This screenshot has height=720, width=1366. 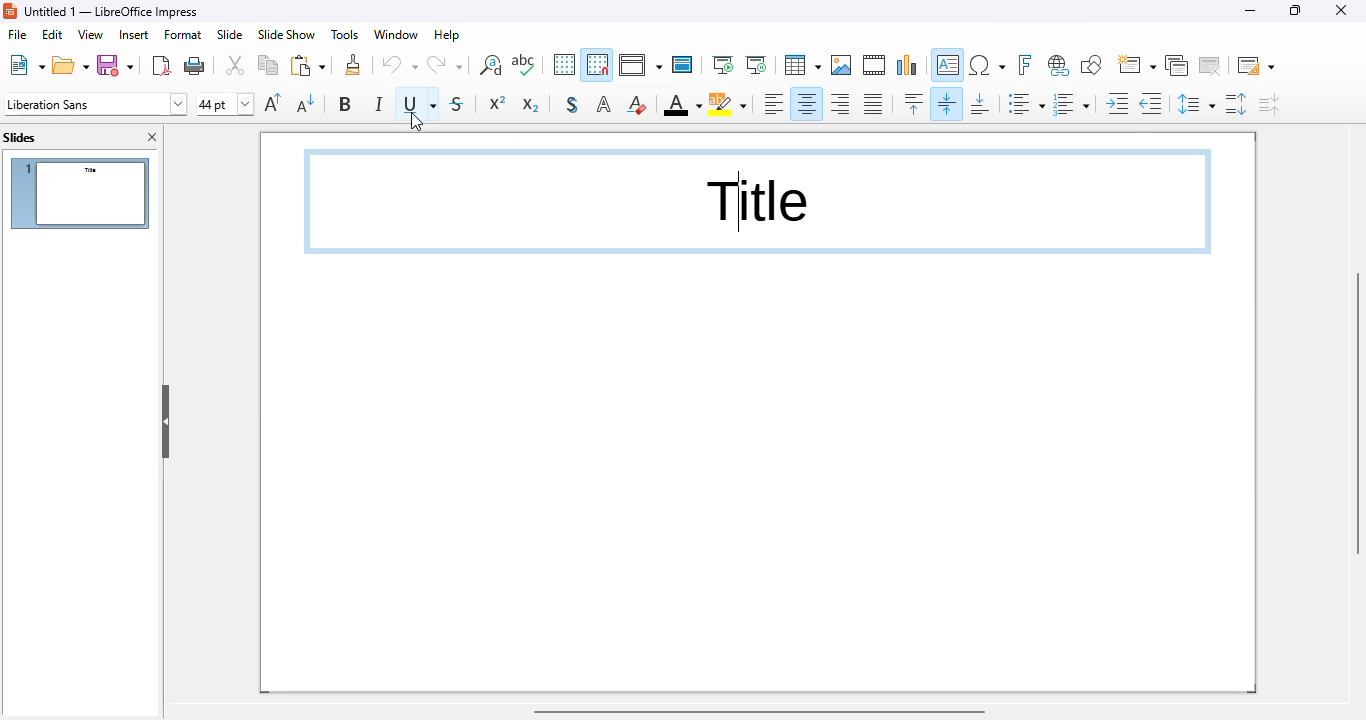 I want to click on save, so click(x=116, y=65).